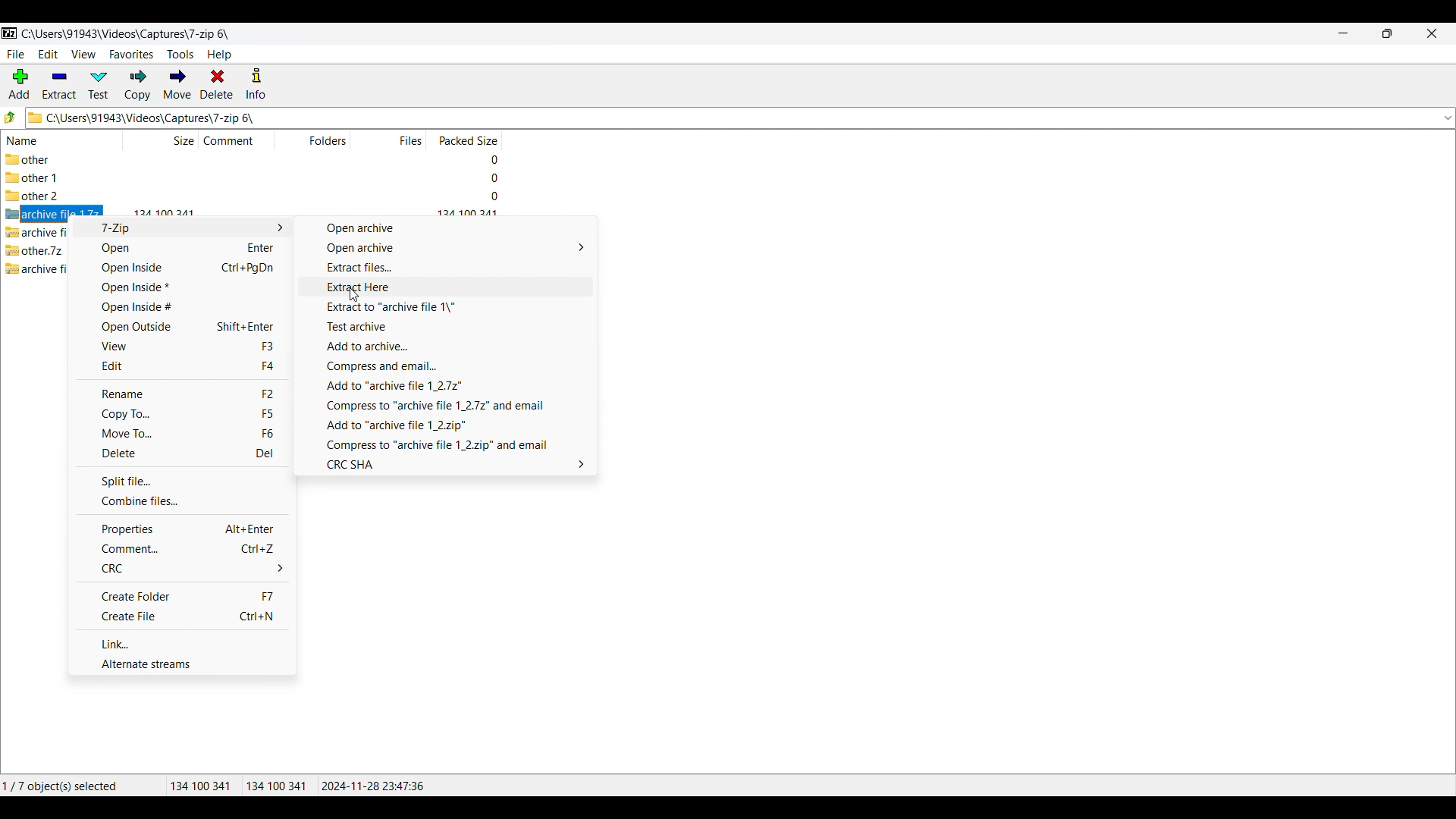  What do you see at coordinates (183, 595) in the screenshot?
I see `Create folder` at bounding box center [183, 595].